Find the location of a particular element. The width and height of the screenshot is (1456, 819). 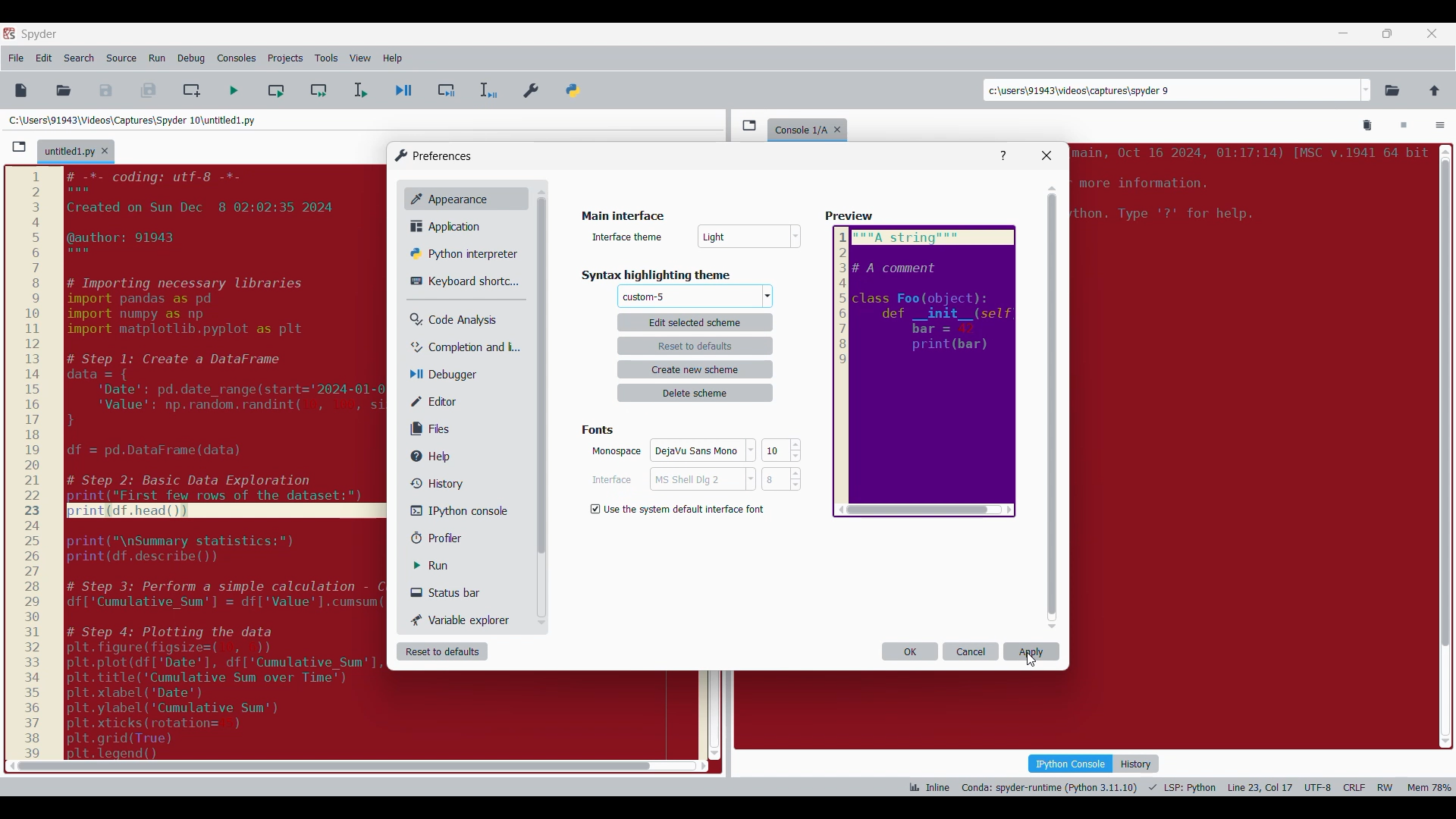

Appearance, current selection highlighted is located at coordinates (446, 197).